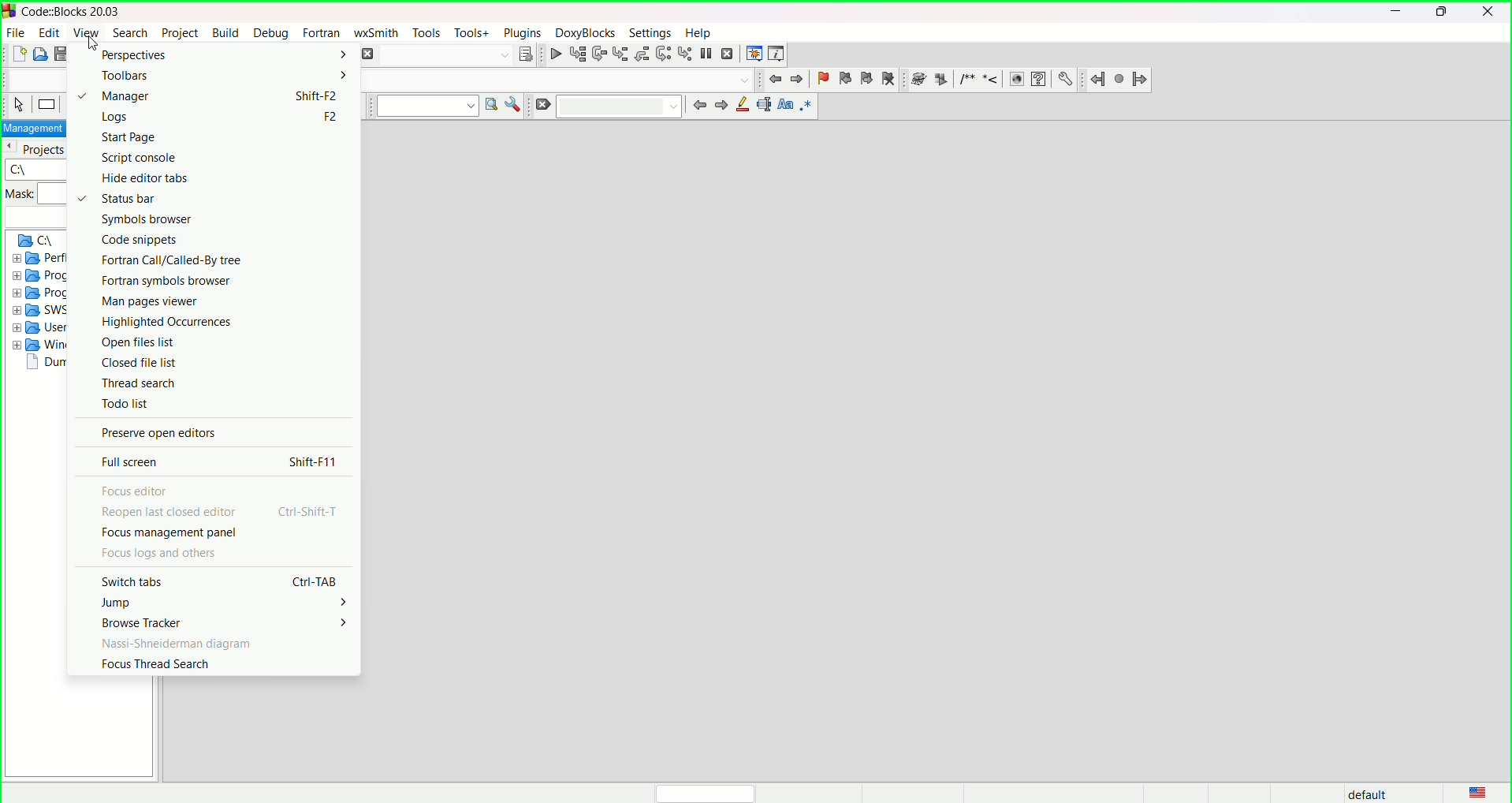 Image resolution: width=1512 pixels, height=803 pixels. What do you see at coordinates (560, 80) in the screenshot?
I see `Code completion compiler` at bounding box center [560, 80].